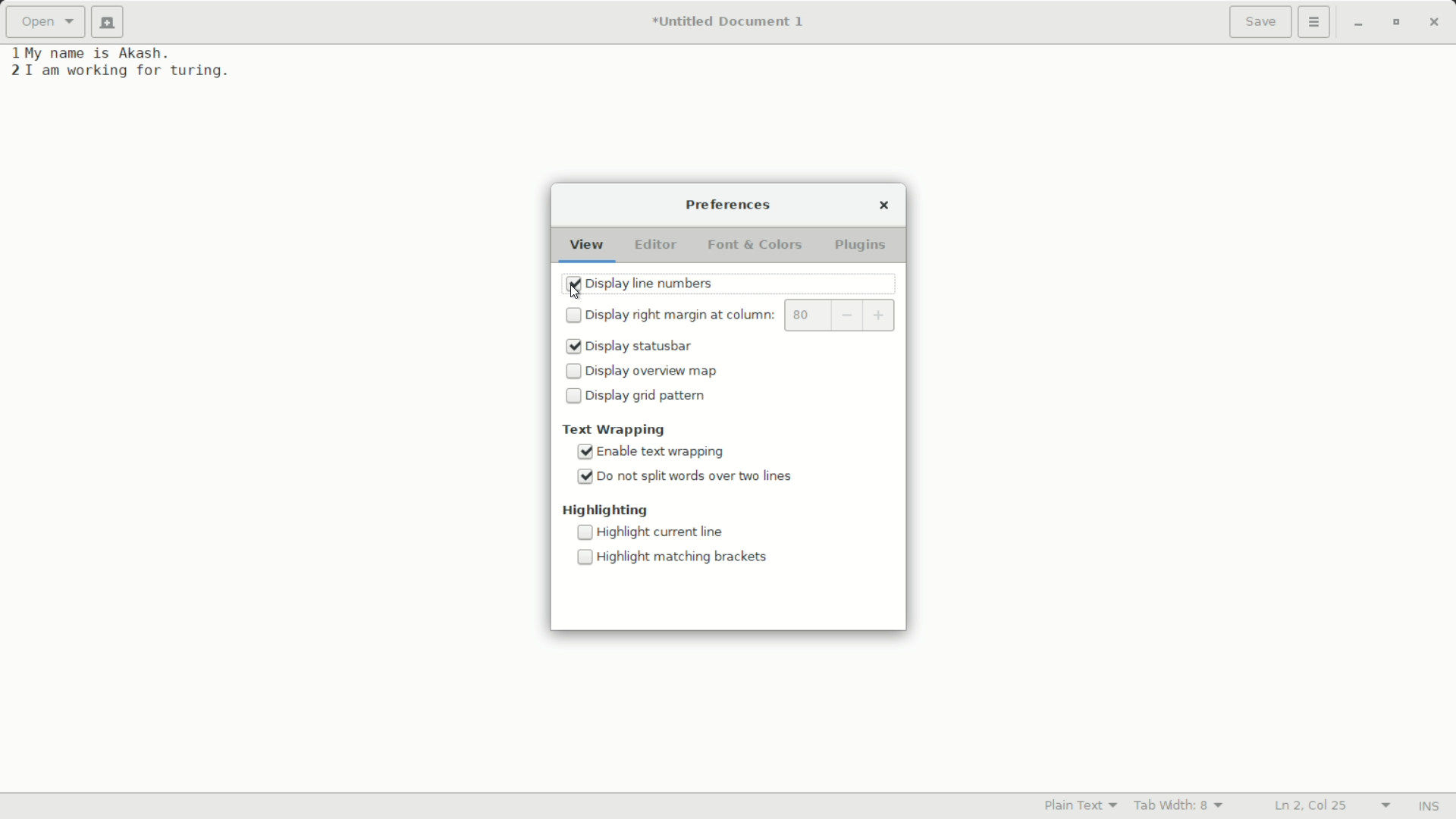 This screenshot has width=1456, height=819. I want to click on view, so click(588, 249).